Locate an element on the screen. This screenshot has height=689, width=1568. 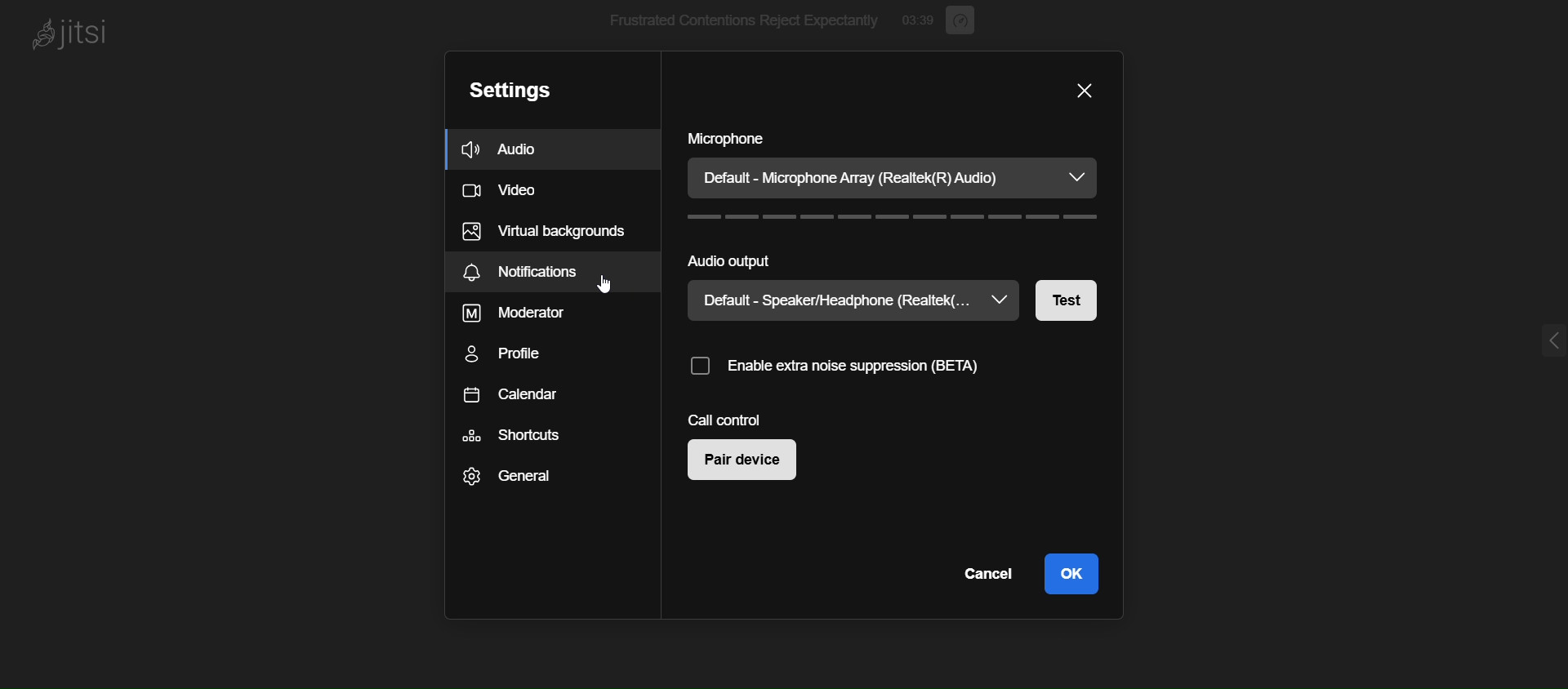
03:39 is located at coordinates (917, 20).